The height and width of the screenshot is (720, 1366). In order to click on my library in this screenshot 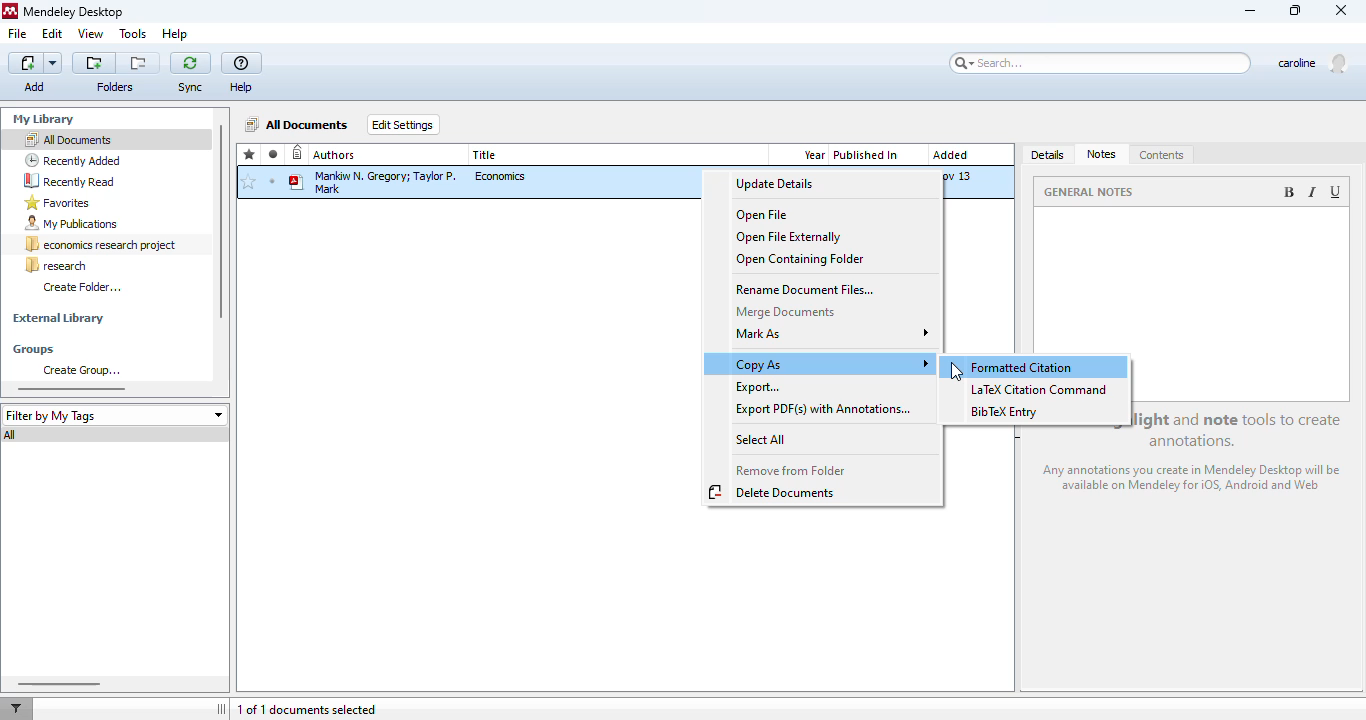, I will do `click(46, 119)`.